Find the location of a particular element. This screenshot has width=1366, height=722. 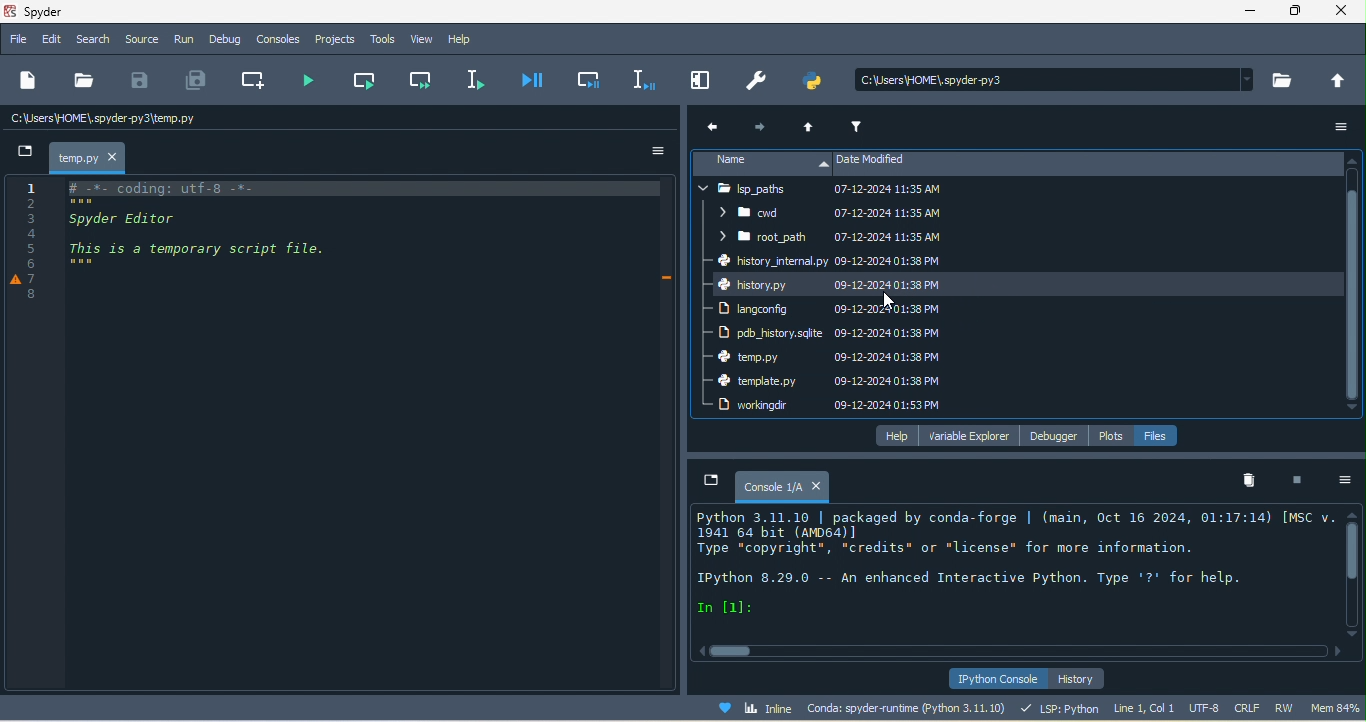

lsp python is located at coordinates (1059, 707).